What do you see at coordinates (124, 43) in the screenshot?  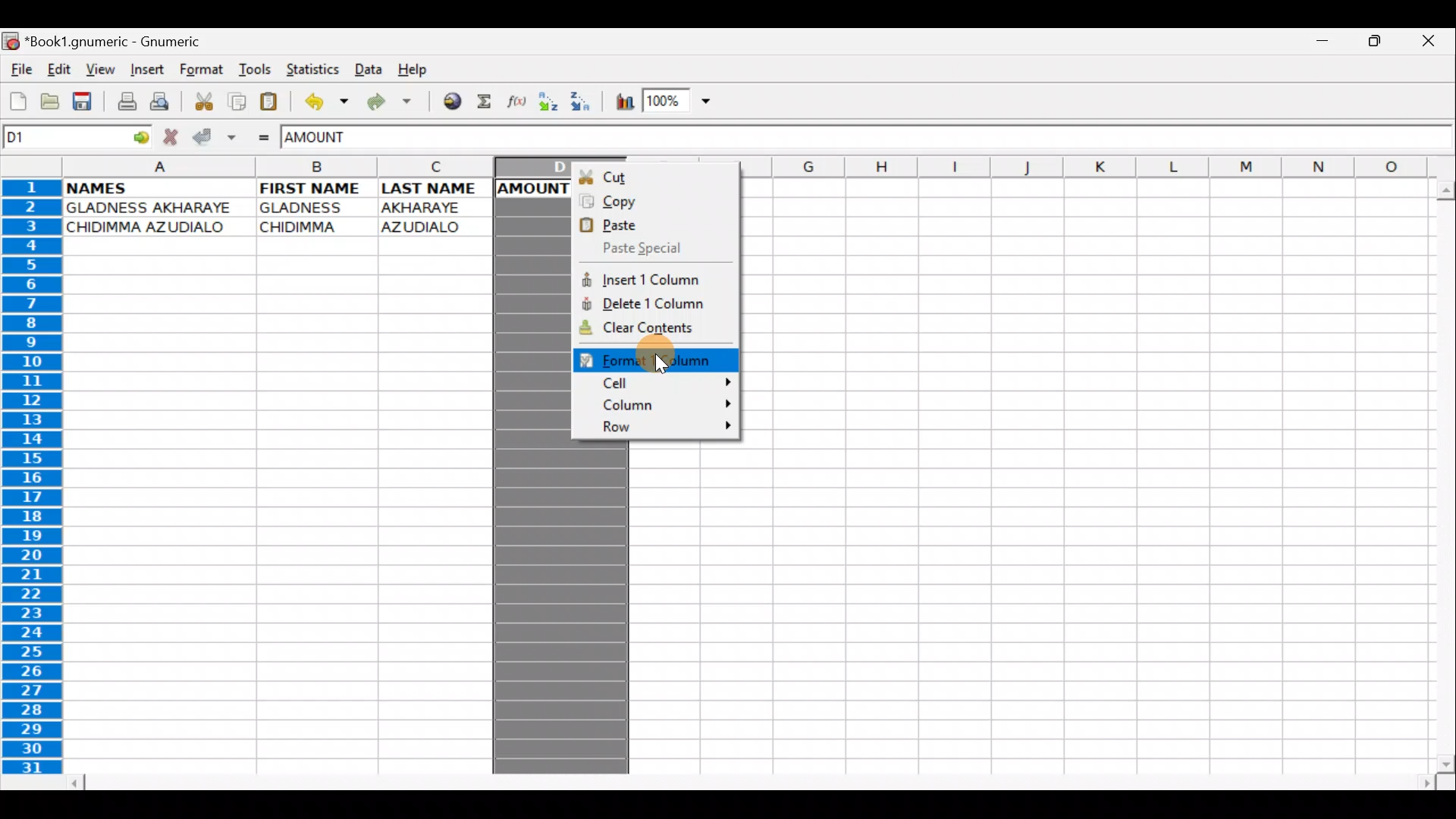 I see `*Book 1.gnumeric - Gnumeric` at bounding box center [124, 43].